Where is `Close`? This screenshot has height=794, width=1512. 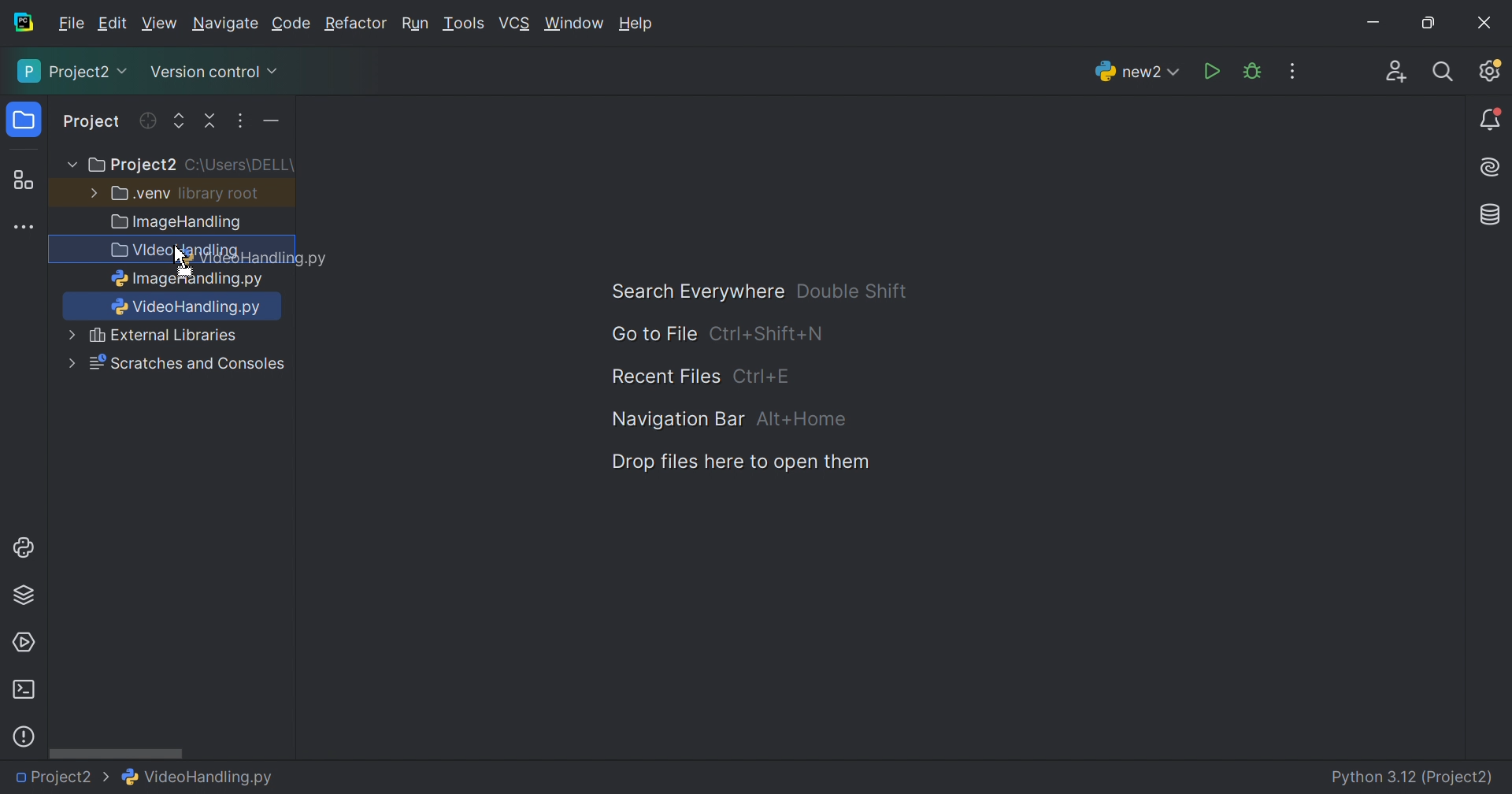 Close is located at coordinates (1484, 23).